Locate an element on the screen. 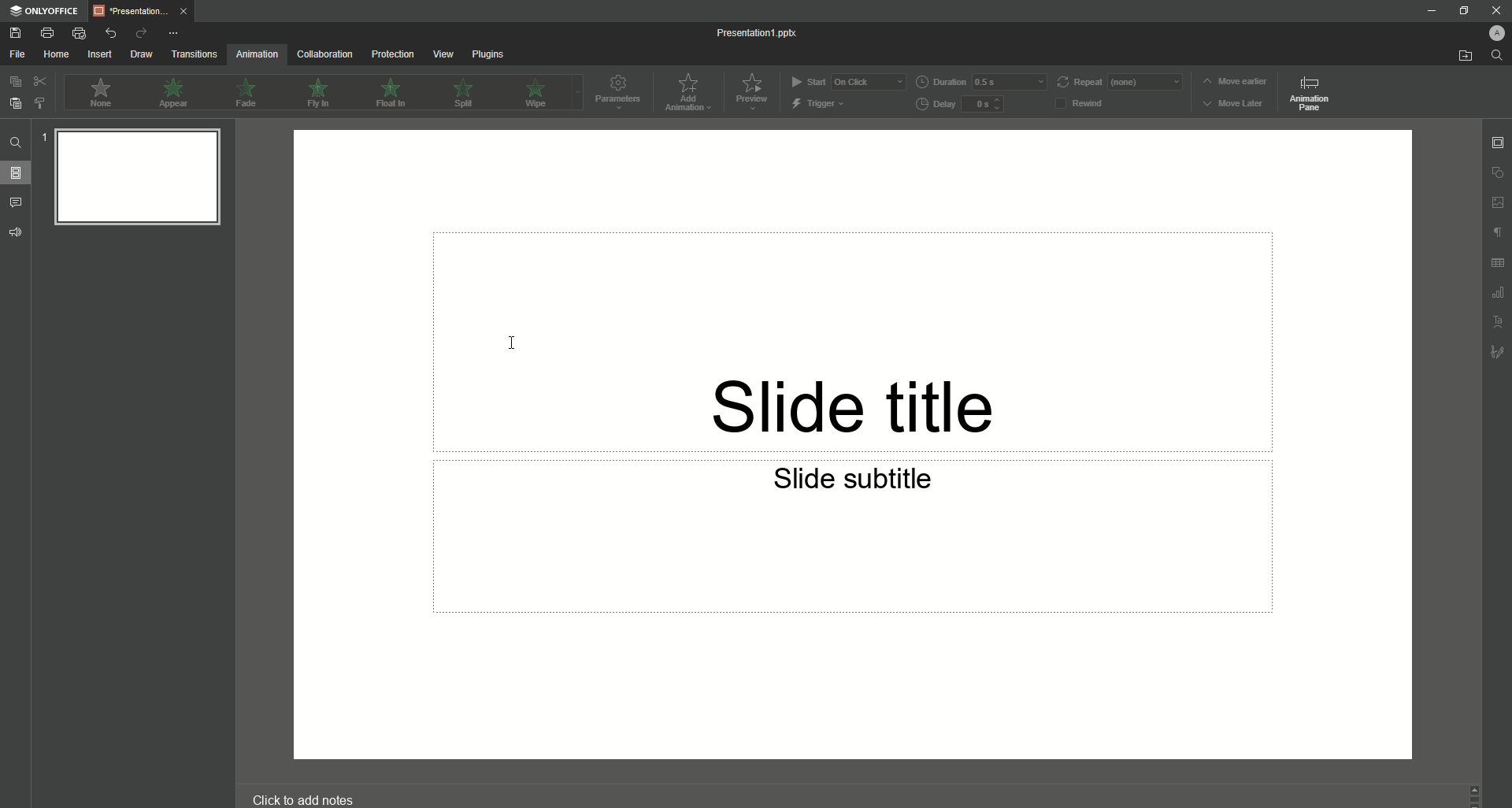 The image size is (1512, 808). Click to add notes is located at coordinates (305, 799).